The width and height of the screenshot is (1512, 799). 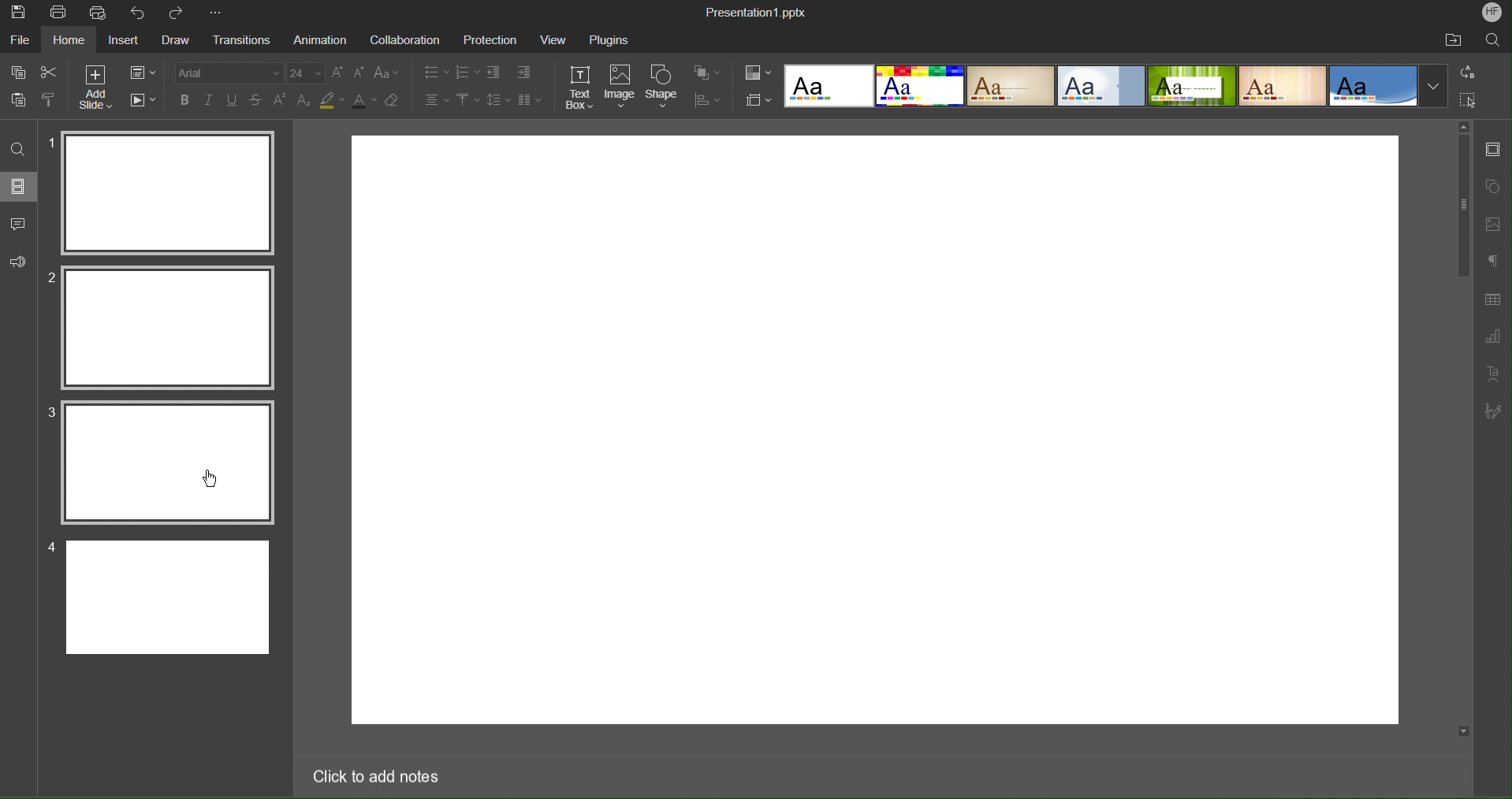 I want to click on Image Settings, so click(x=1494, y=224).